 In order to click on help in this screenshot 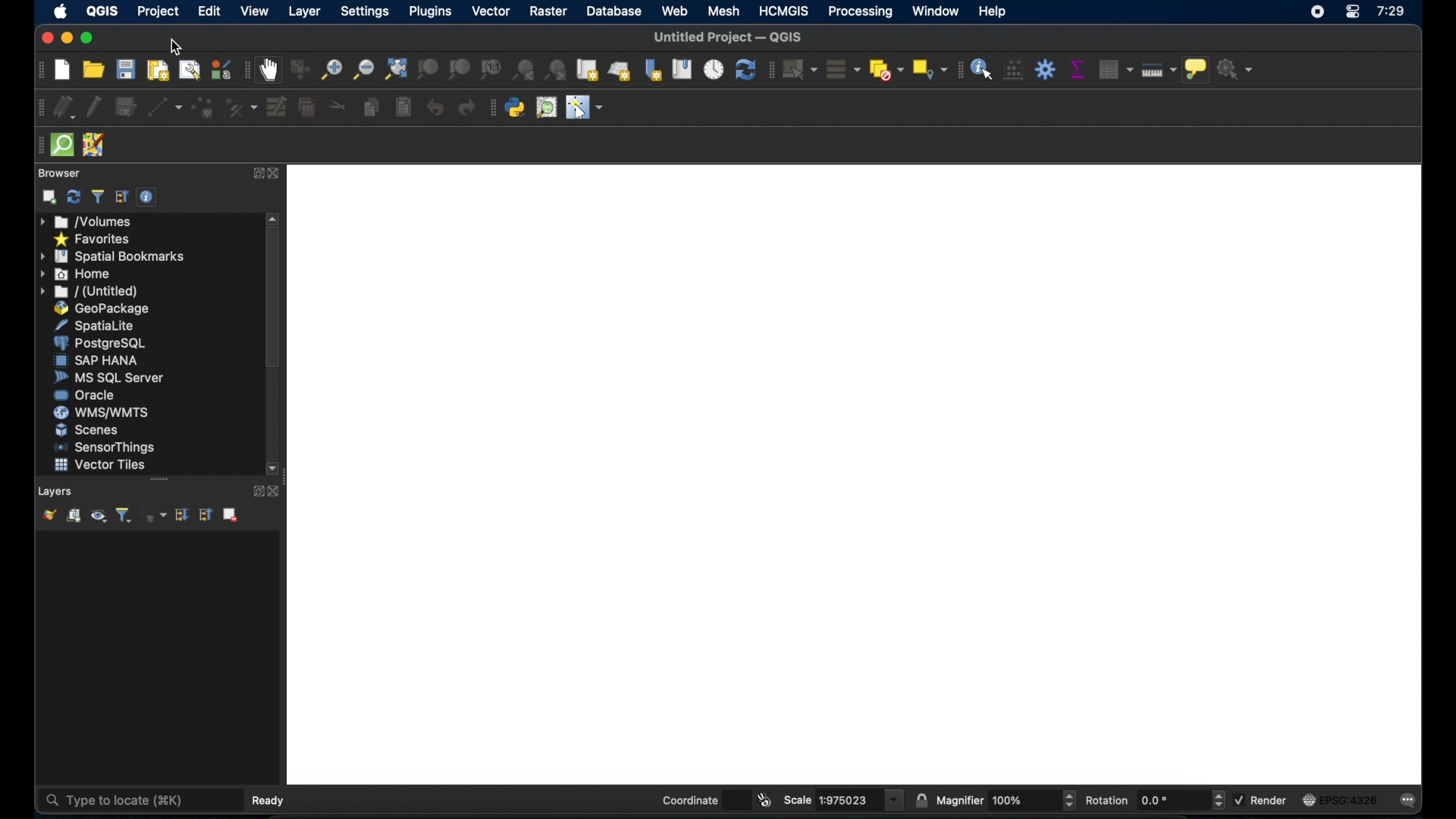, I will do `click(994, 11)`.